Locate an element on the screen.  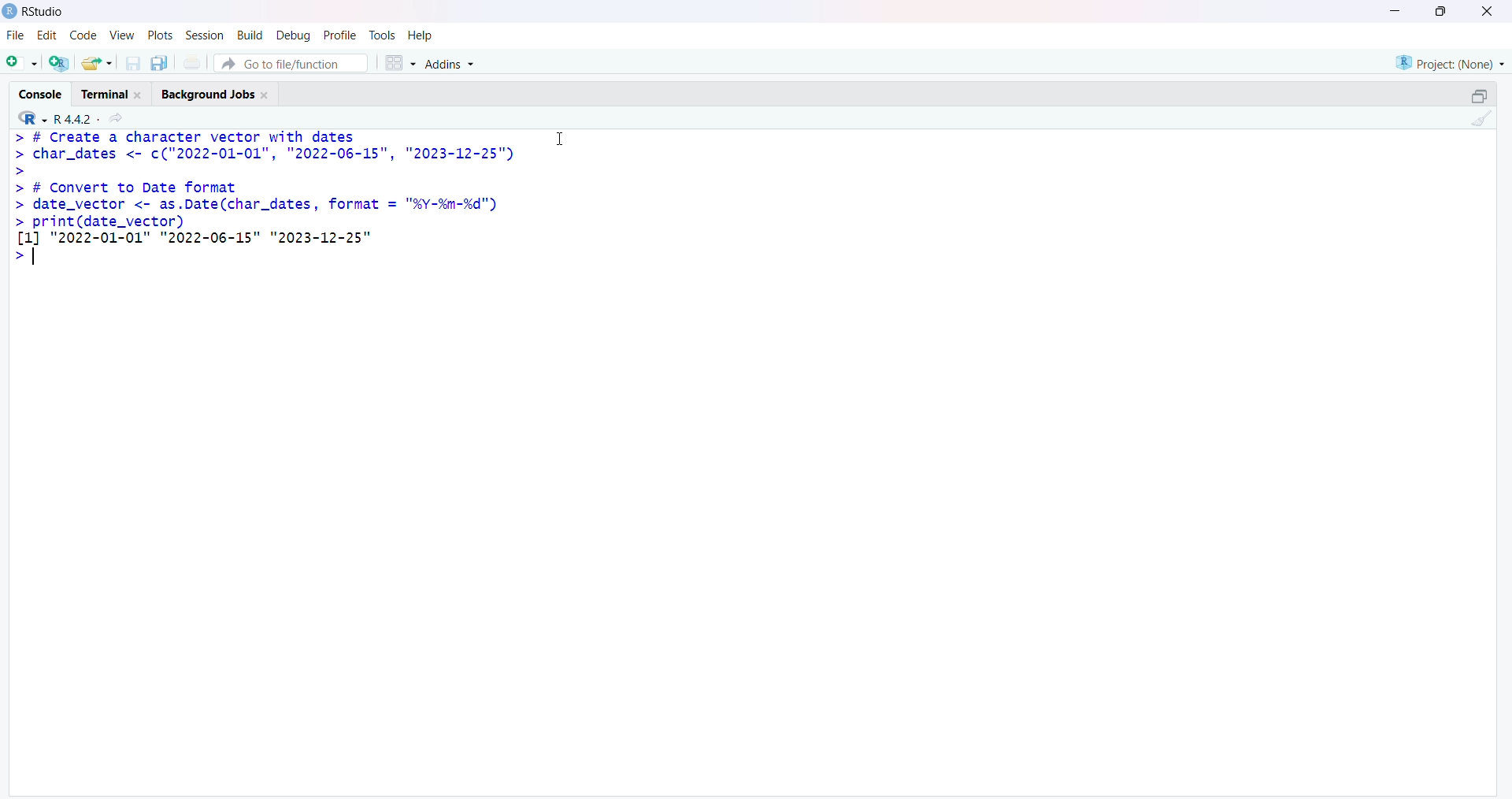
Print the current file is located at coordinates (198, 61).